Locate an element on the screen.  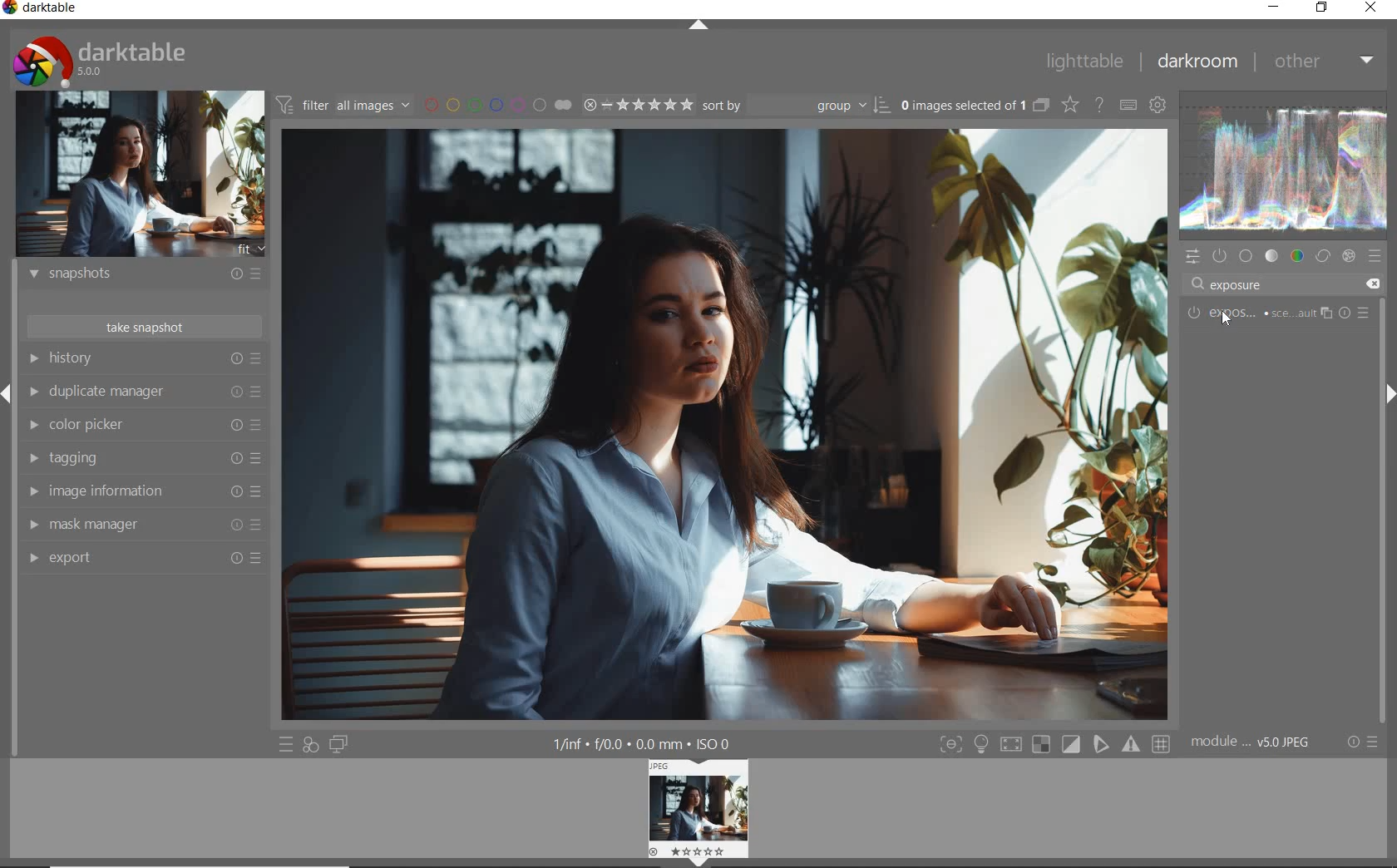
mask manager is located at coordinates (141, 523).